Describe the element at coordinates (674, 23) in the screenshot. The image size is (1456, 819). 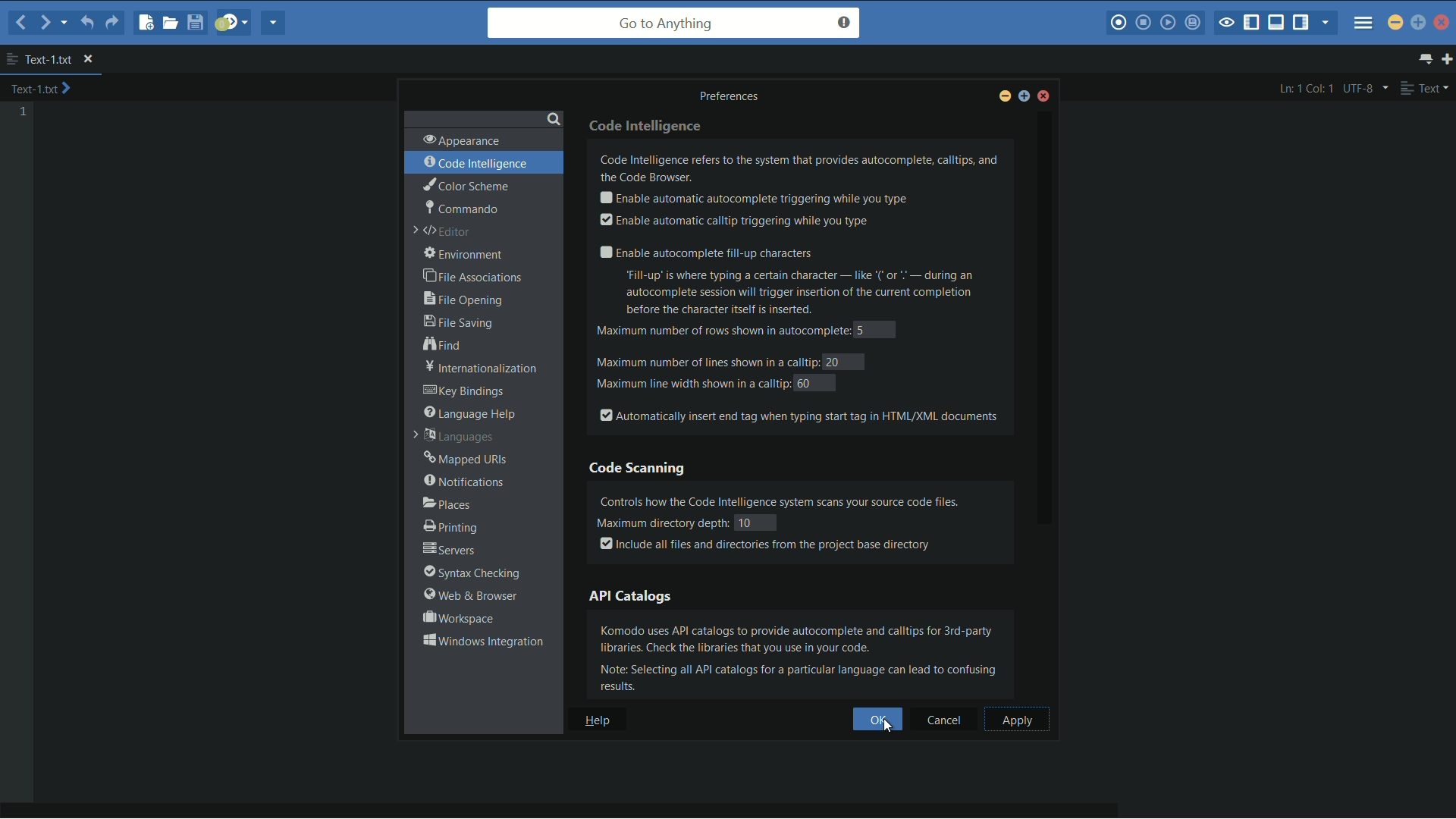
I see `go to anything ` at that location.